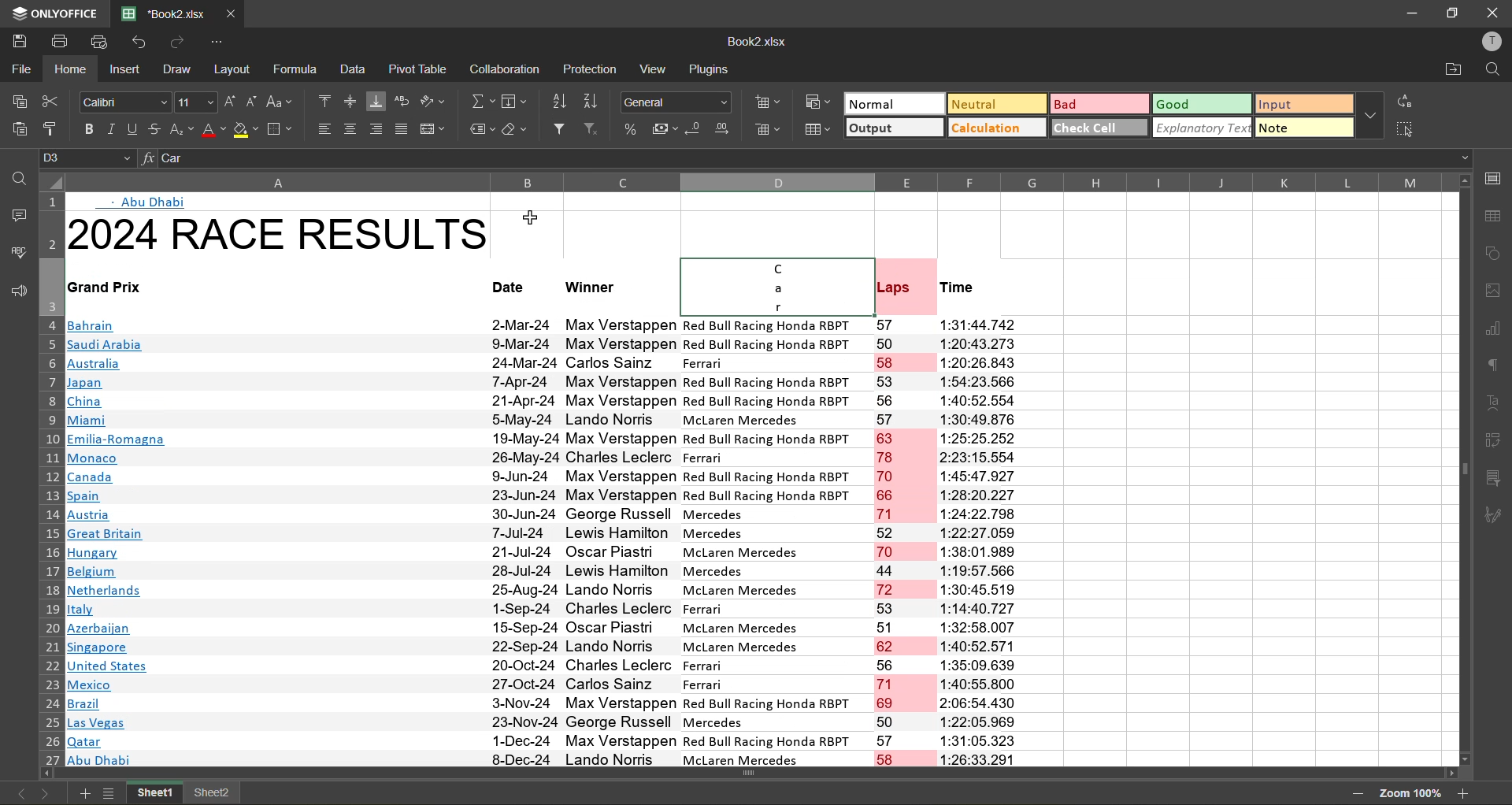 The width and height of the screenshot is (1512, 805). What do you see at coordinates (1372, 114) in the screenshot?
I see `more options` at bounding box center [1372, 114].